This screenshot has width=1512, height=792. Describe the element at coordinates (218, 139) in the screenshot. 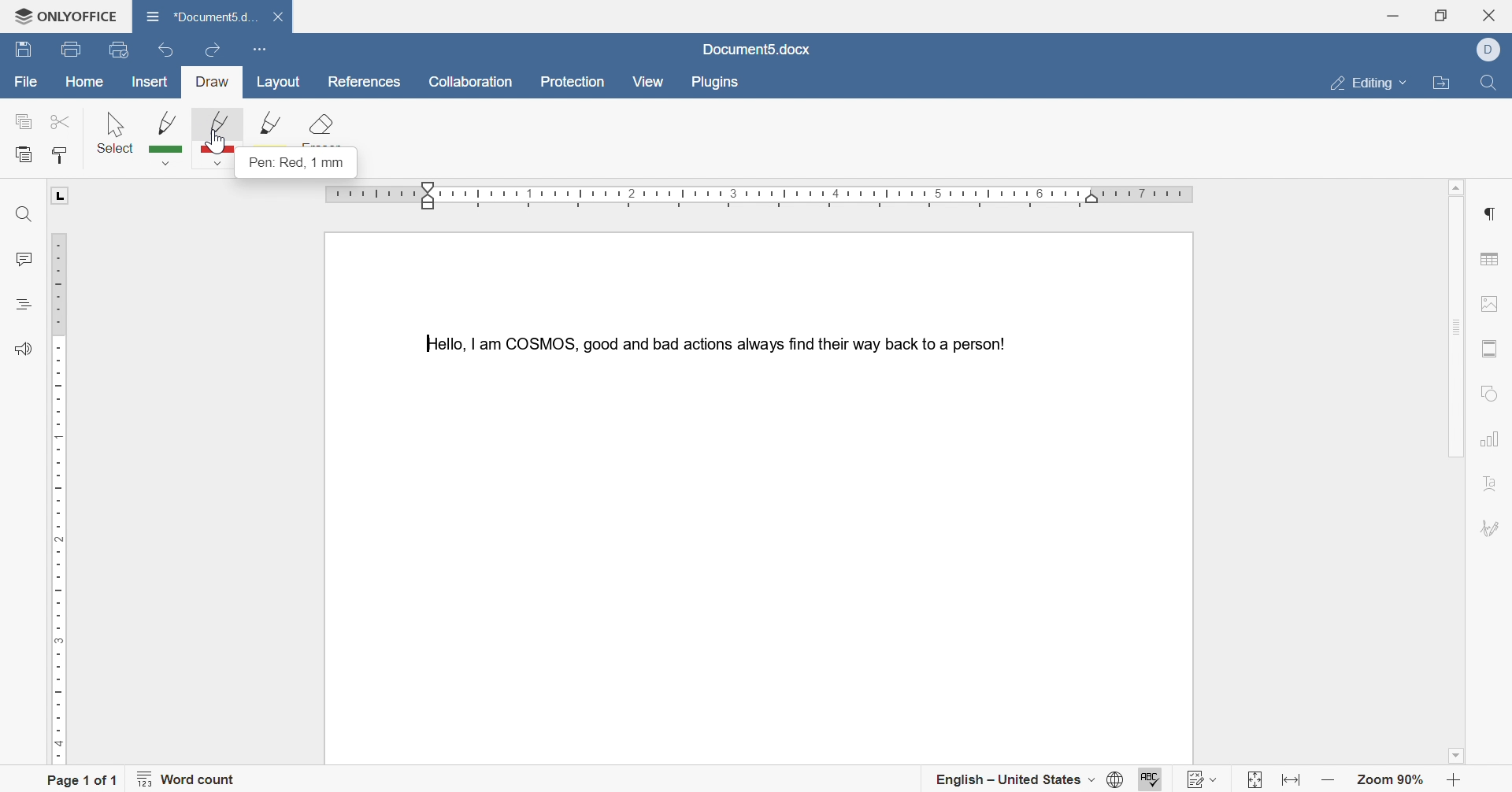

I see `red pen` at that location.